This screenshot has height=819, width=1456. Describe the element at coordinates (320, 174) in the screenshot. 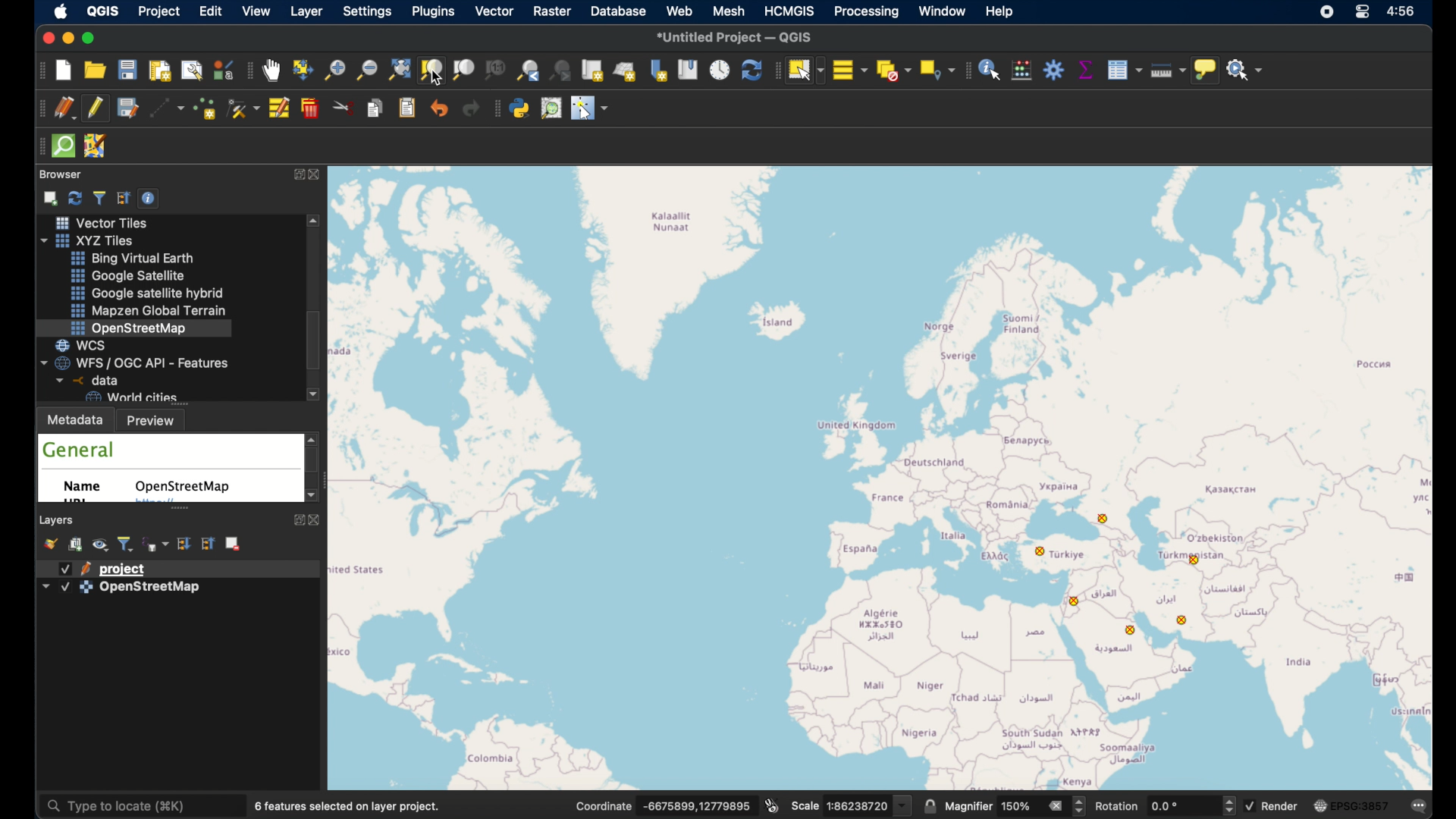

I see `close` at that location.